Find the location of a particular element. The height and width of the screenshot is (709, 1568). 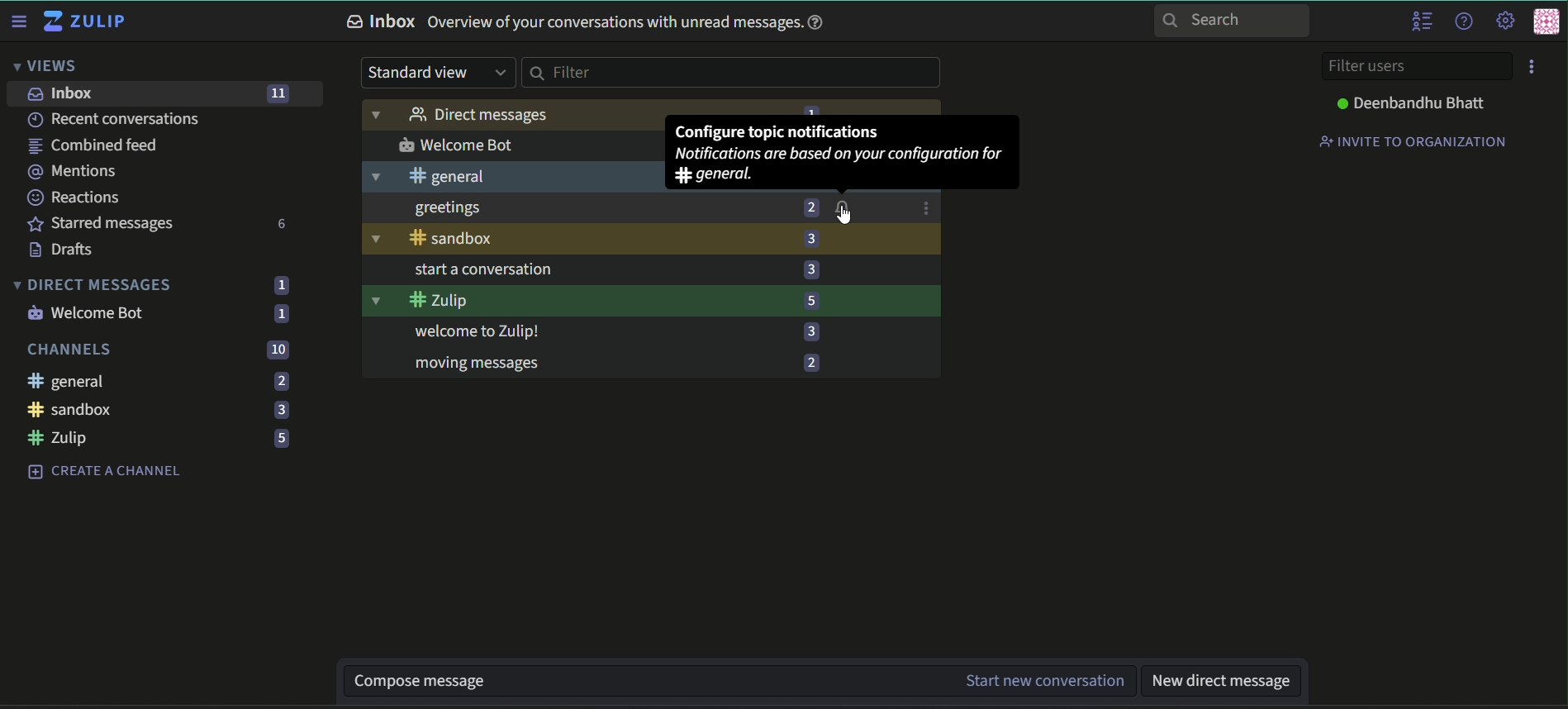

#zulip is located at coordinates (577, 300).